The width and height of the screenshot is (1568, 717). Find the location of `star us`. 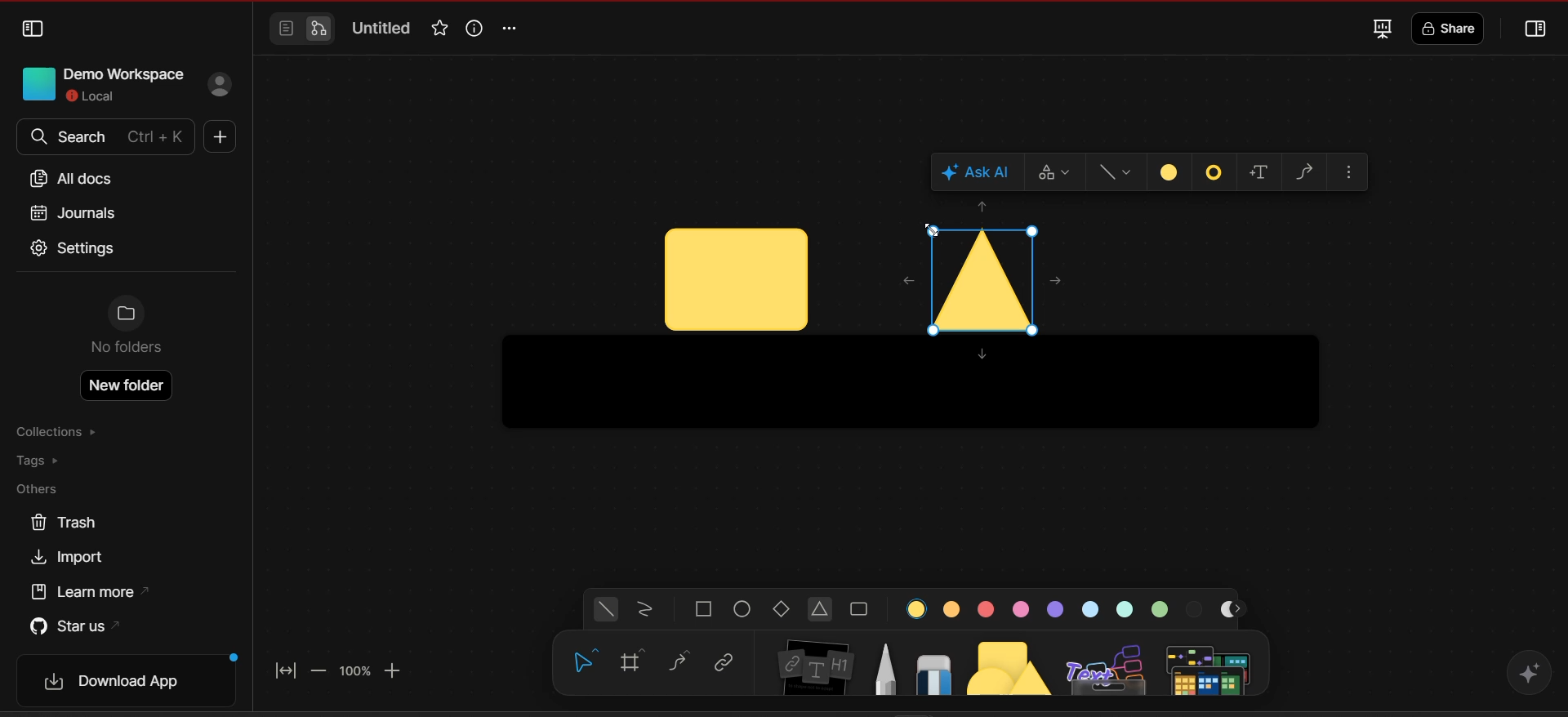

star us is located at coordinates (73, 625).